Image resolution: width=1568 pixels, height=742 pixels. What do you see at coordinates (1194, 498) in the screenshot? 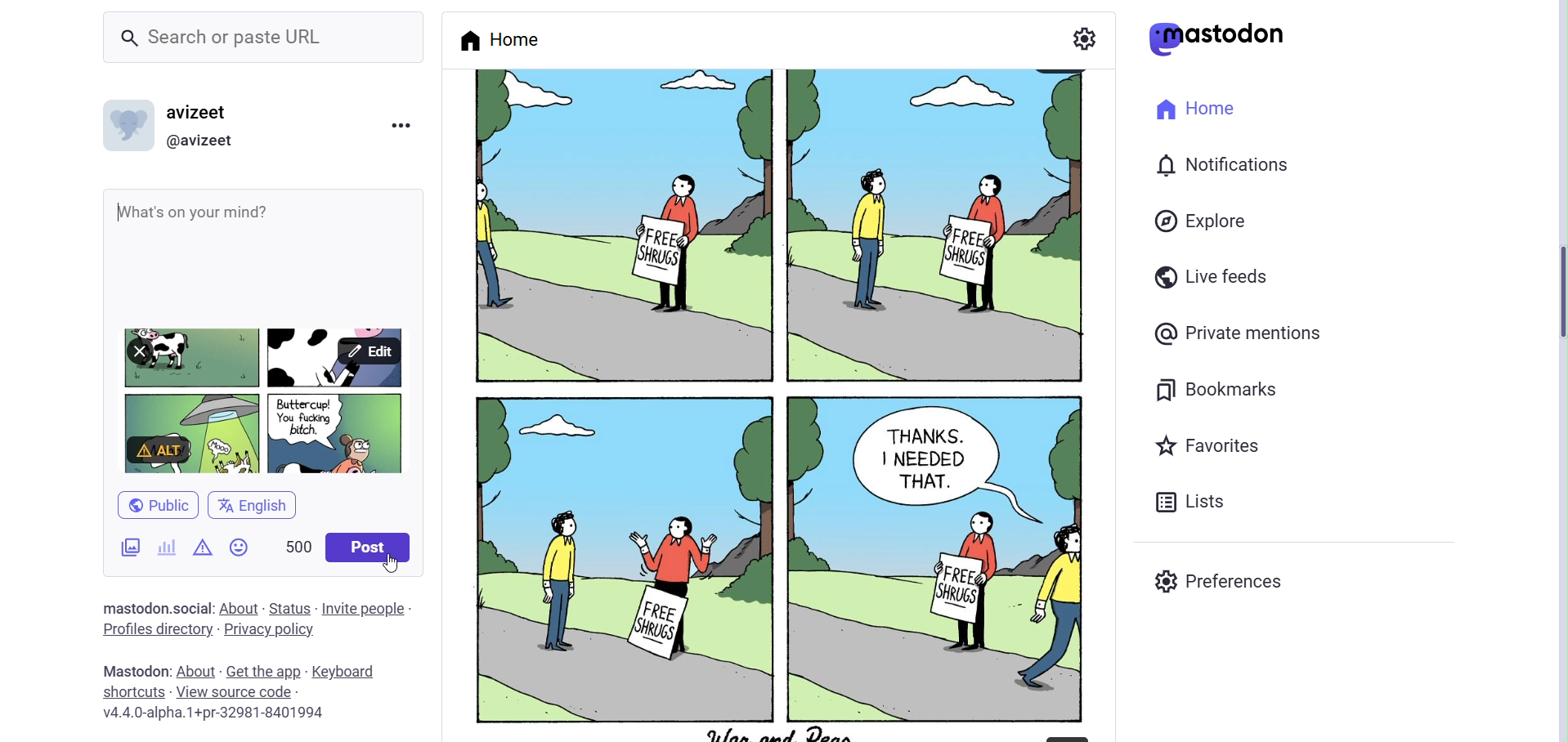
I see `Lists` at bounding box center [1194, 498].